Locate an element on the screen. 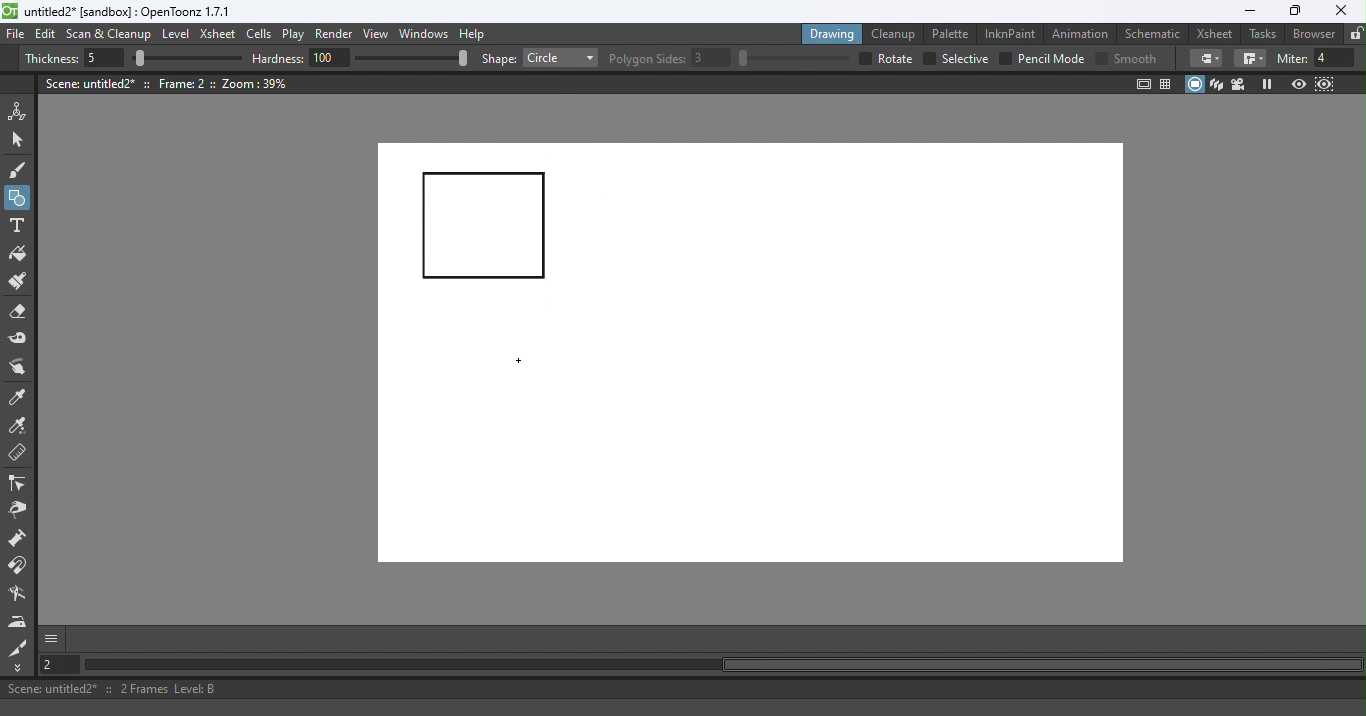 The height and width of the screenshot is (716, 1366). View is located at coordinates (379, 36).